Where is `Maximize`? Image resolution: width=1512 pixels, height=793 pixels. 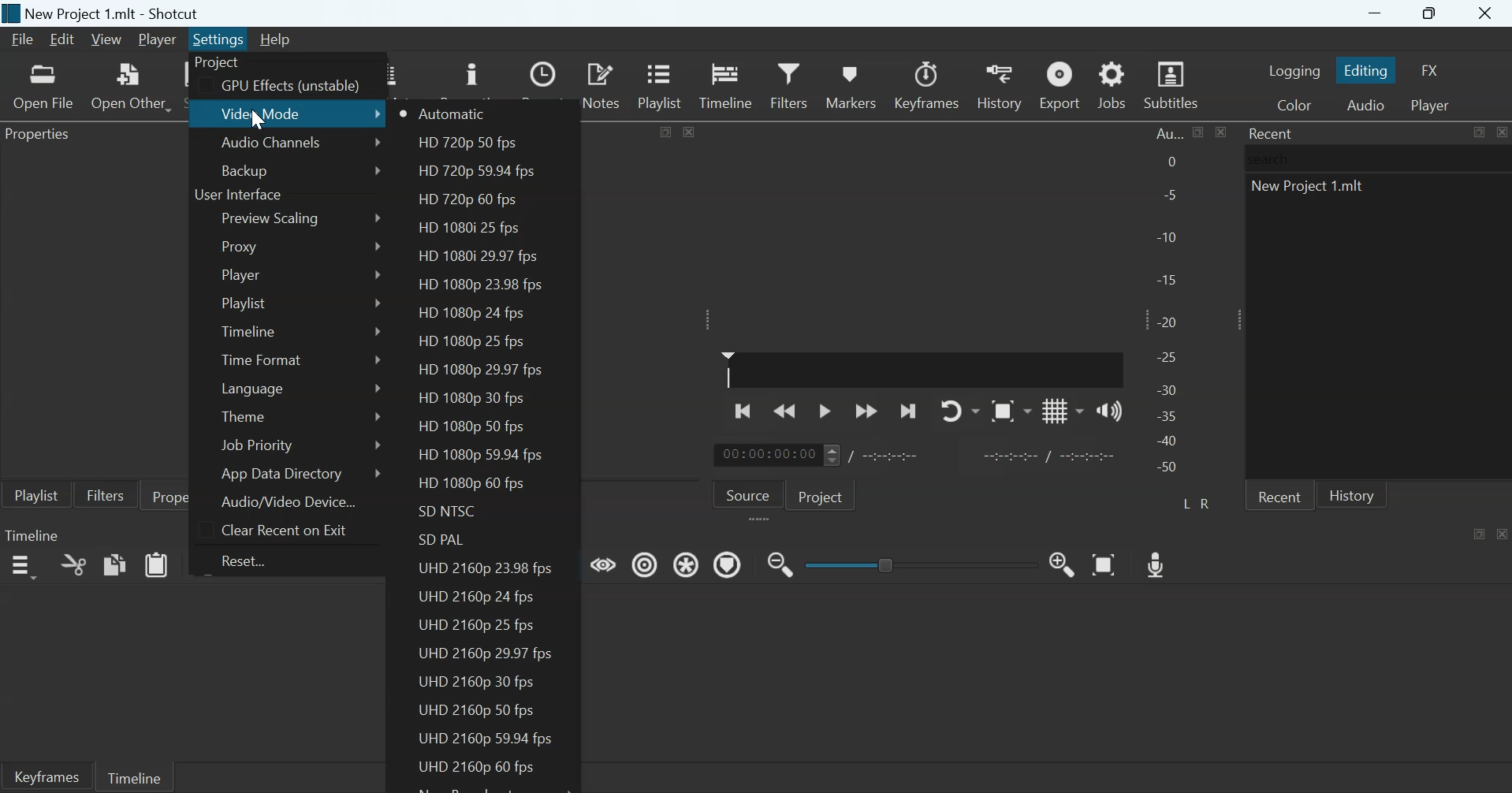 Maximize is located at coordinates (1199, 132).